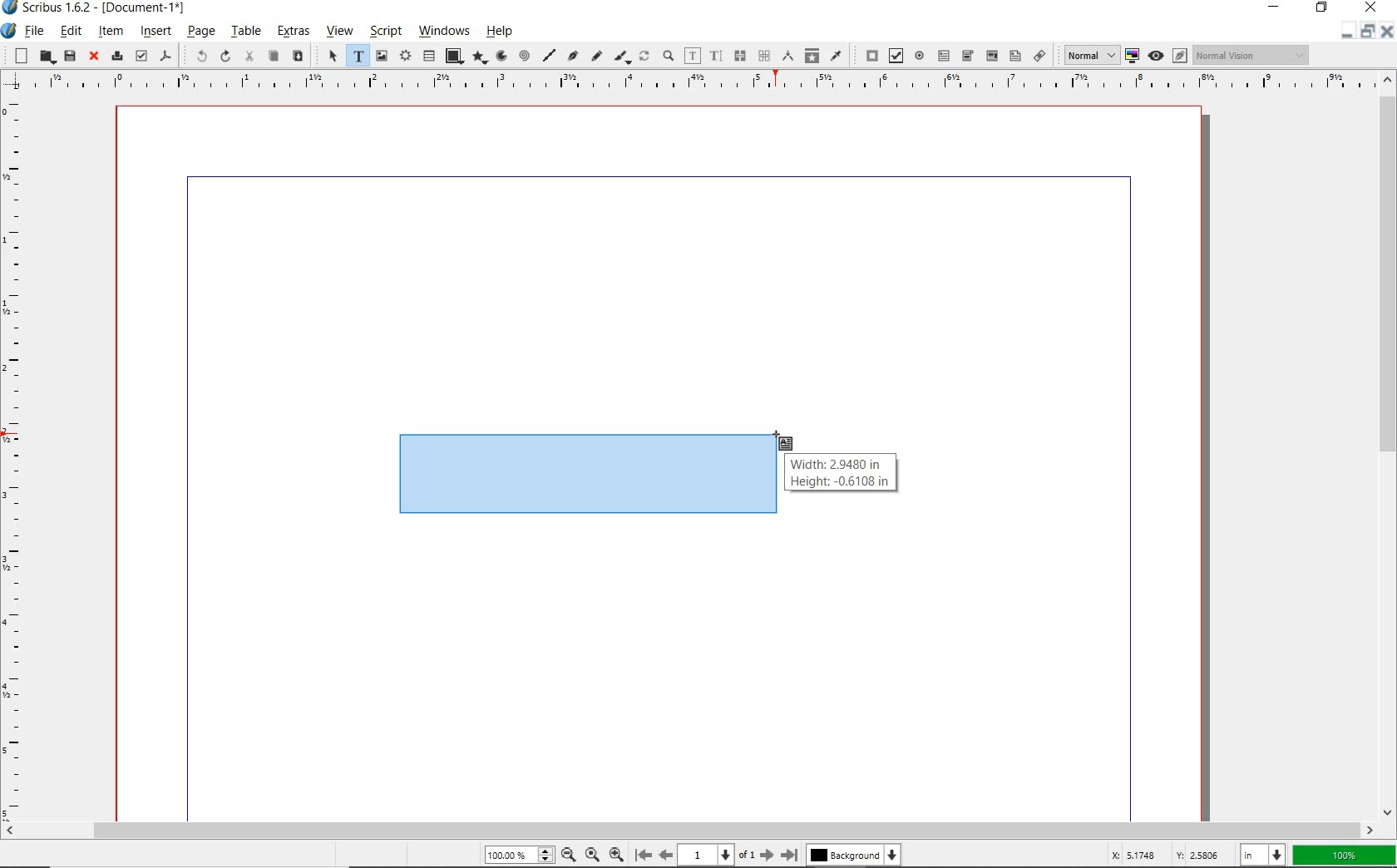  Describe the element at coordinates (338, 33) in the screenshot. I see `view` at that location.